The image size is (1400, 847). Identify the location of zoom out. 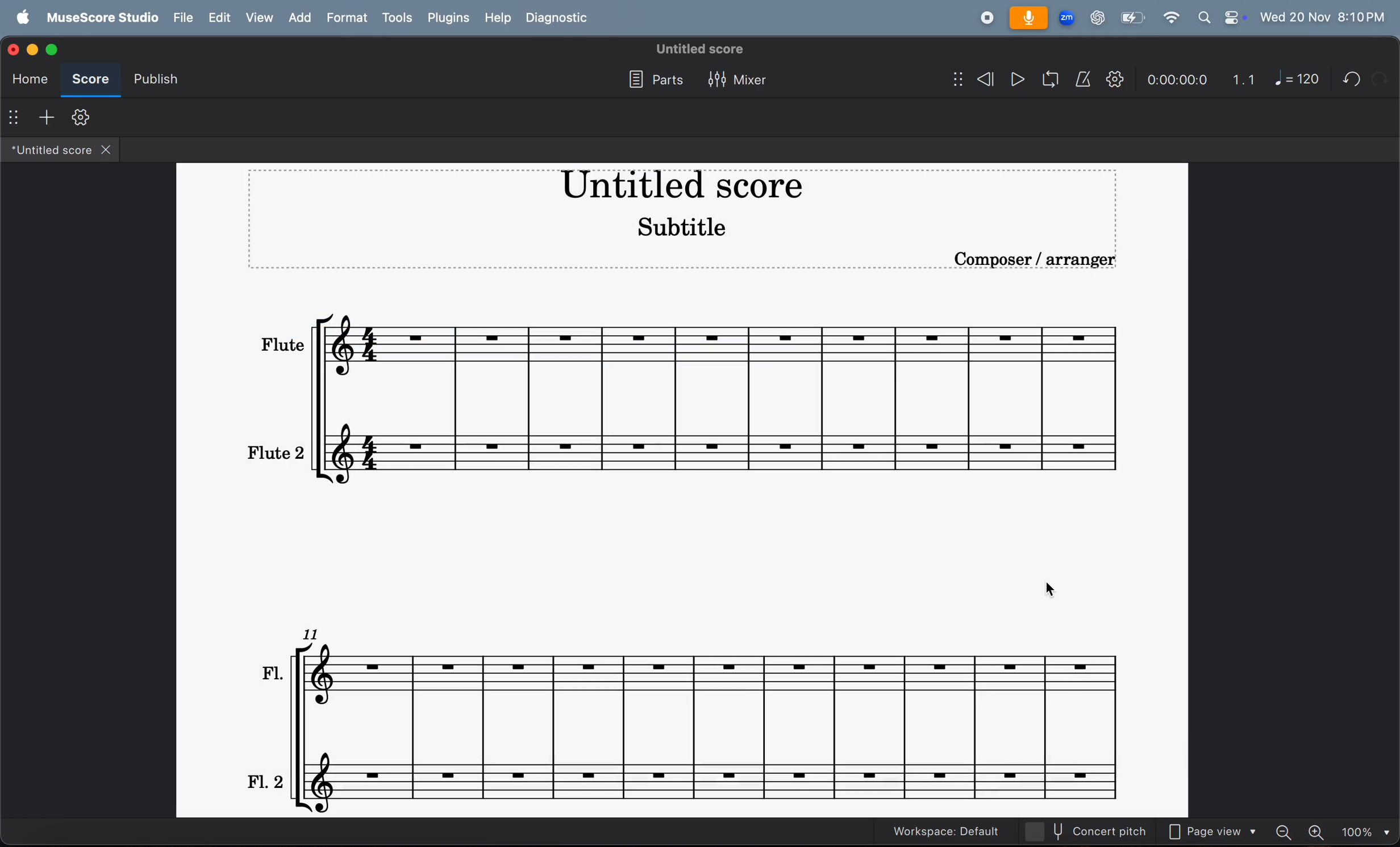
(1282, 832).